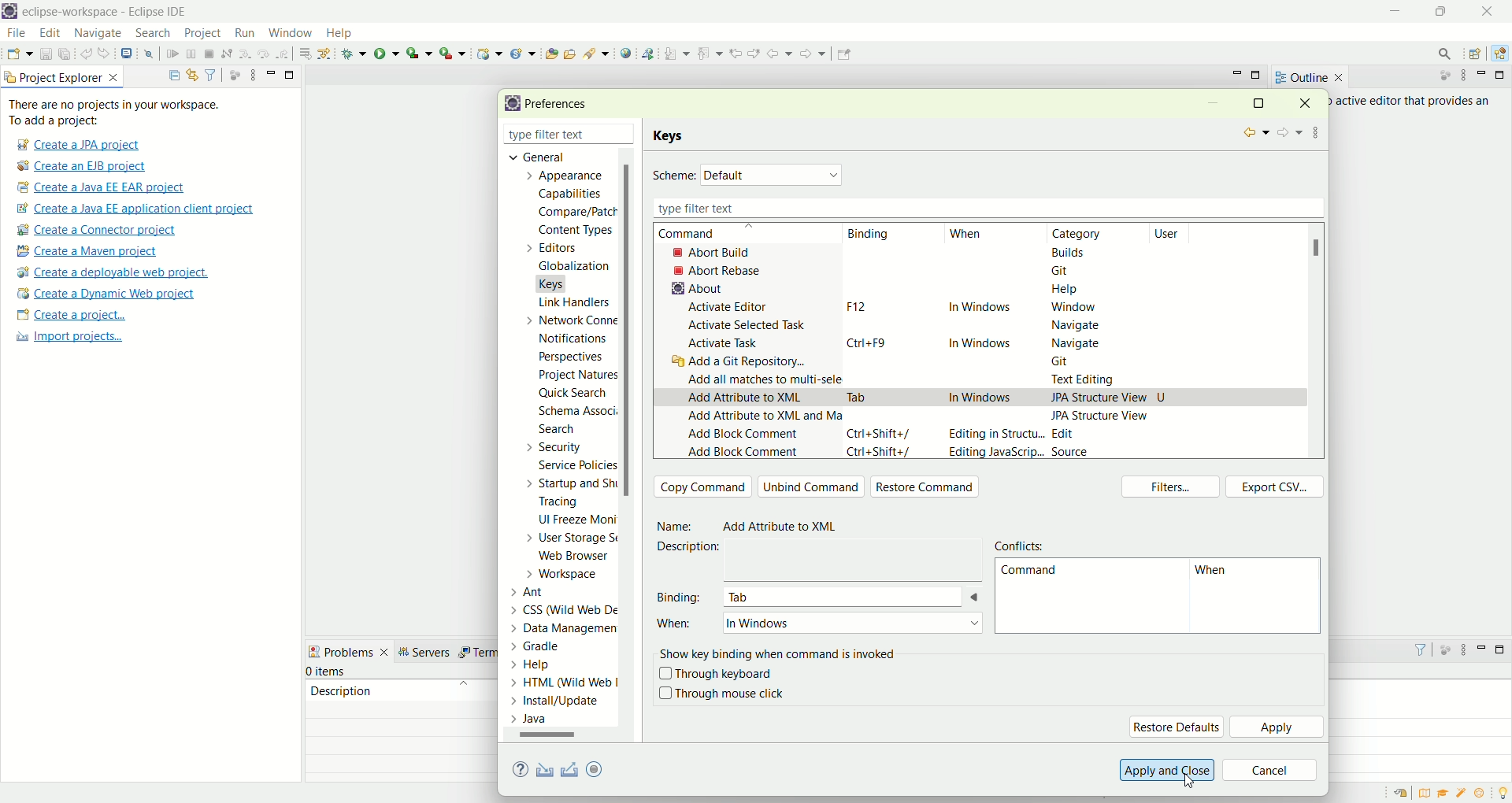  Describe the element at coordinates (1321, 248) in the screenshot. I see `scroll bar` at that location.